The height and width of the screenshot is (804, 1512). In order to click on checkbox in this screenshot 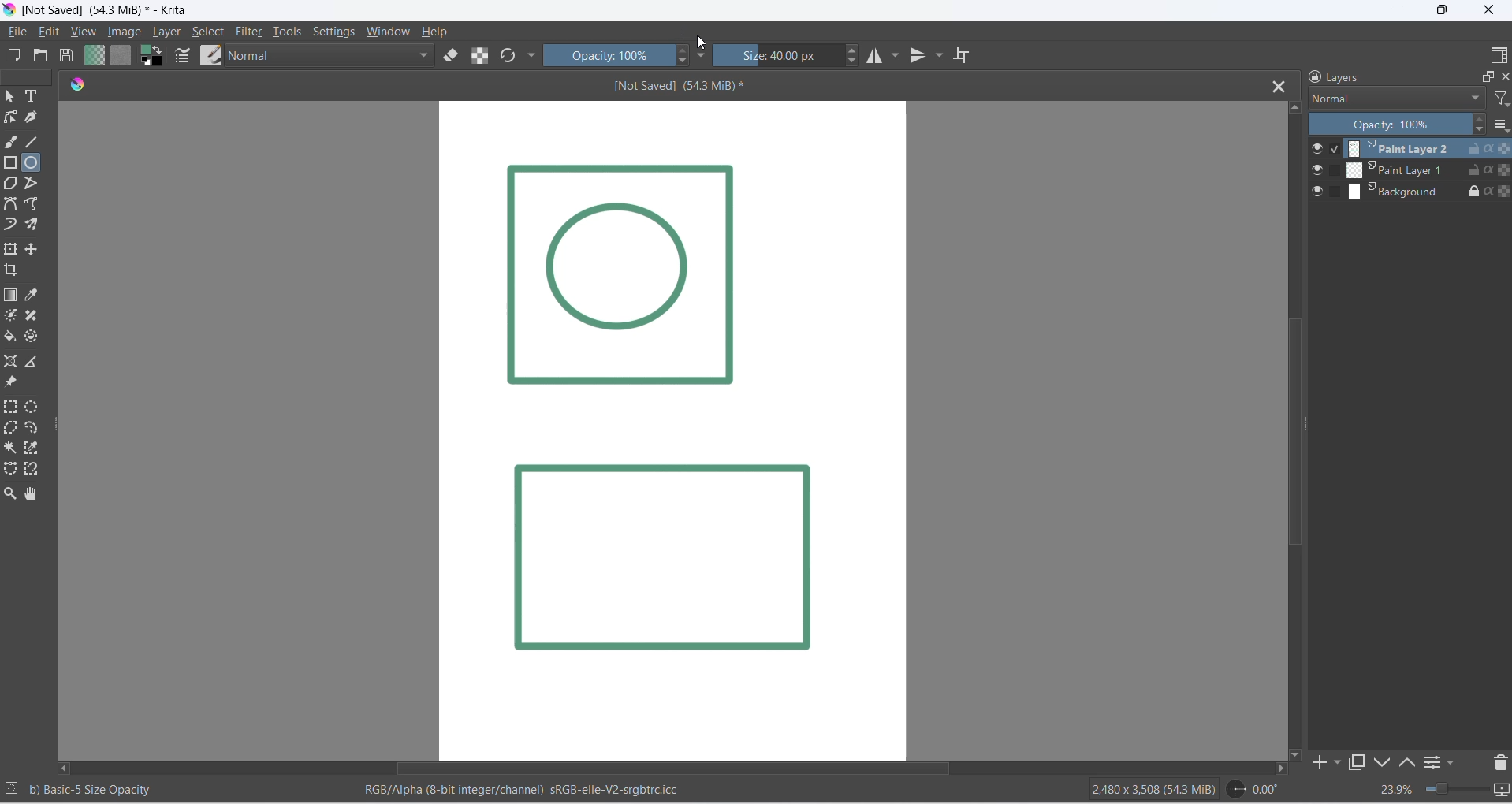, I will do `click(1337, 148)`.